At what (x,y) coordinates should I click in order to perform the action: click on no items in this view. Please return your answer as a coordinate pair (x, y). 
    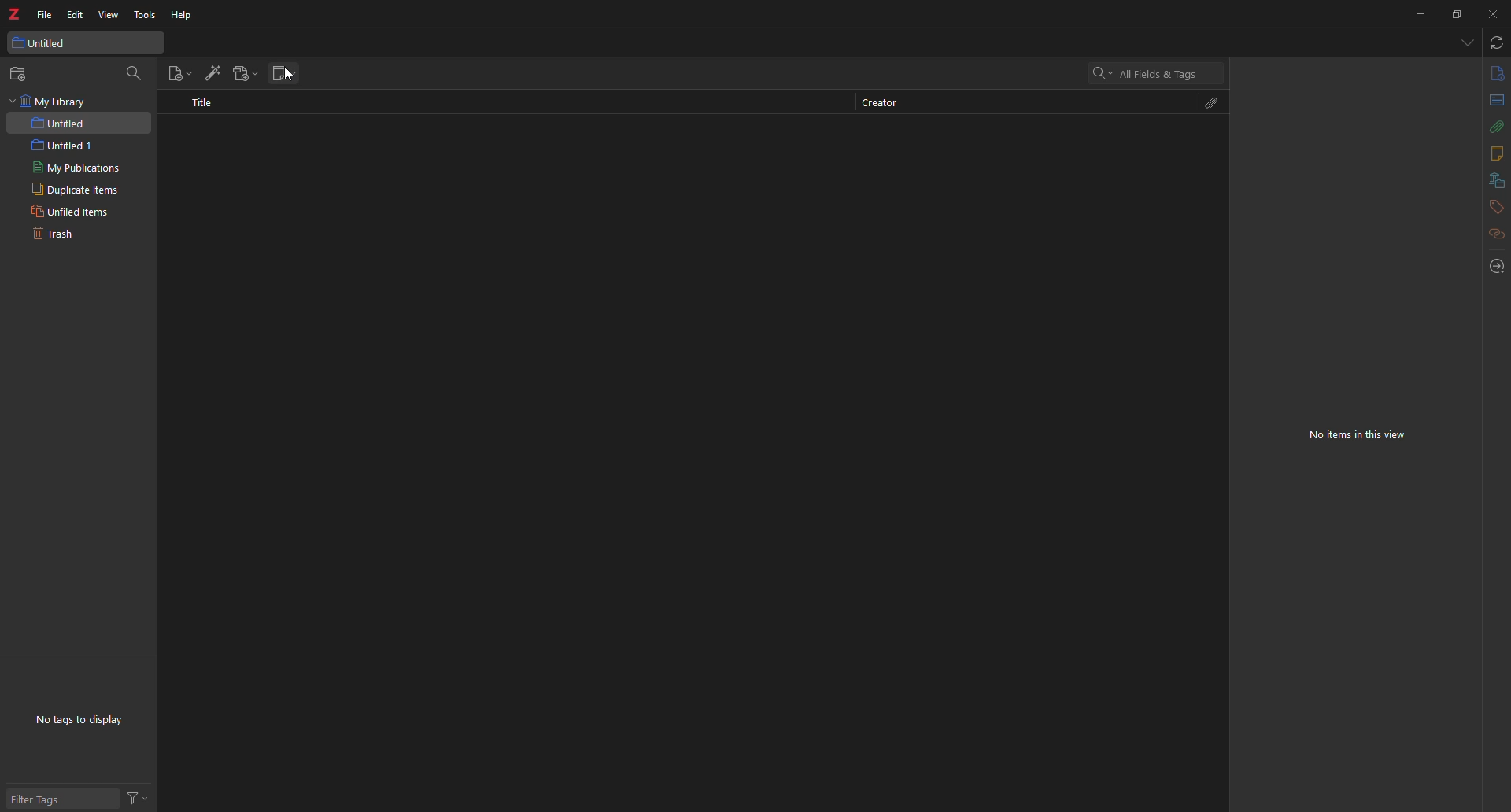
    Looking at the image, I should click on (1366, 435).